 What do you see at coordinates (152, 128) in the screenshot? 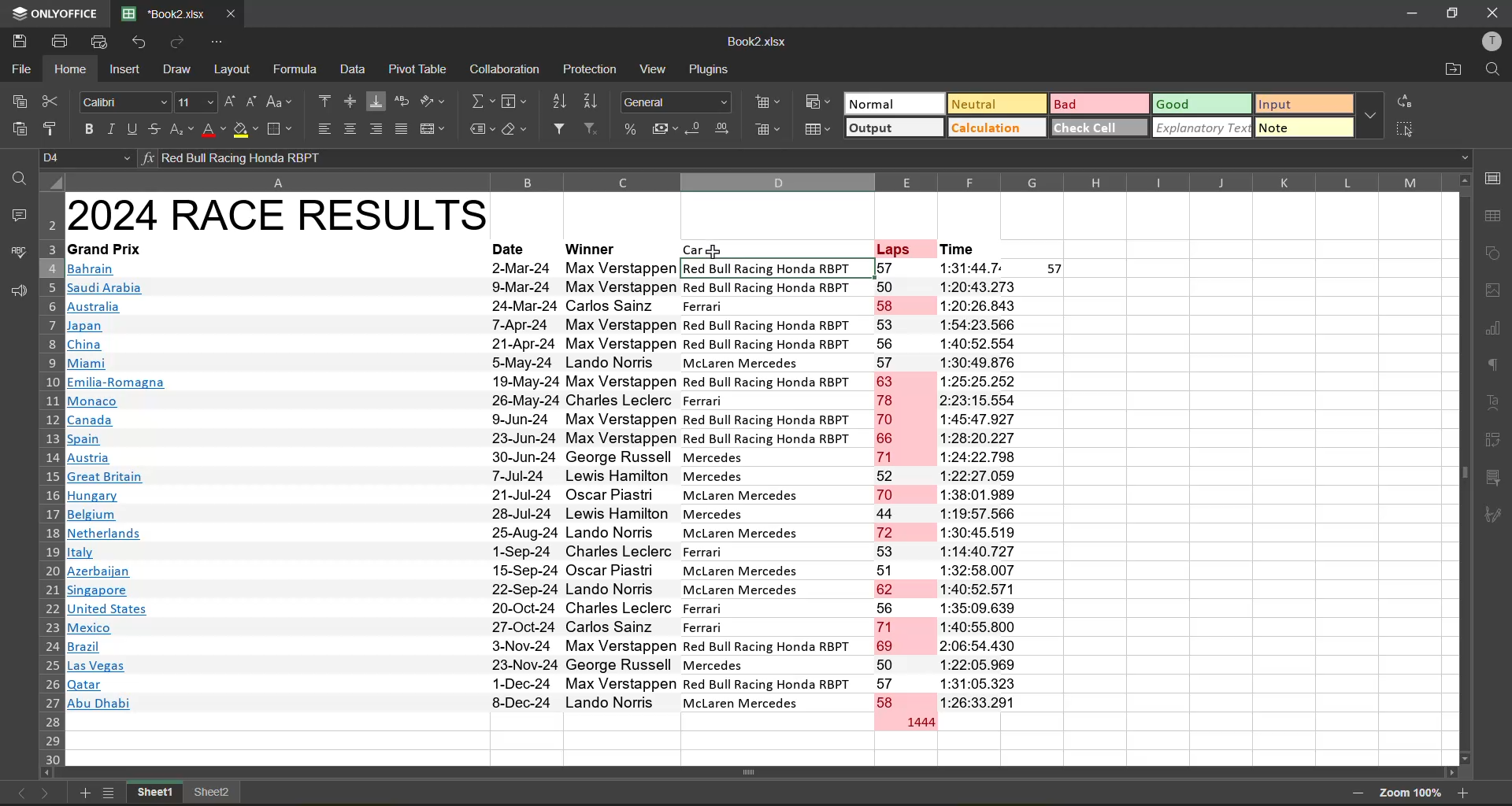
I see `strikethrough` at bounding box center [152, 128].